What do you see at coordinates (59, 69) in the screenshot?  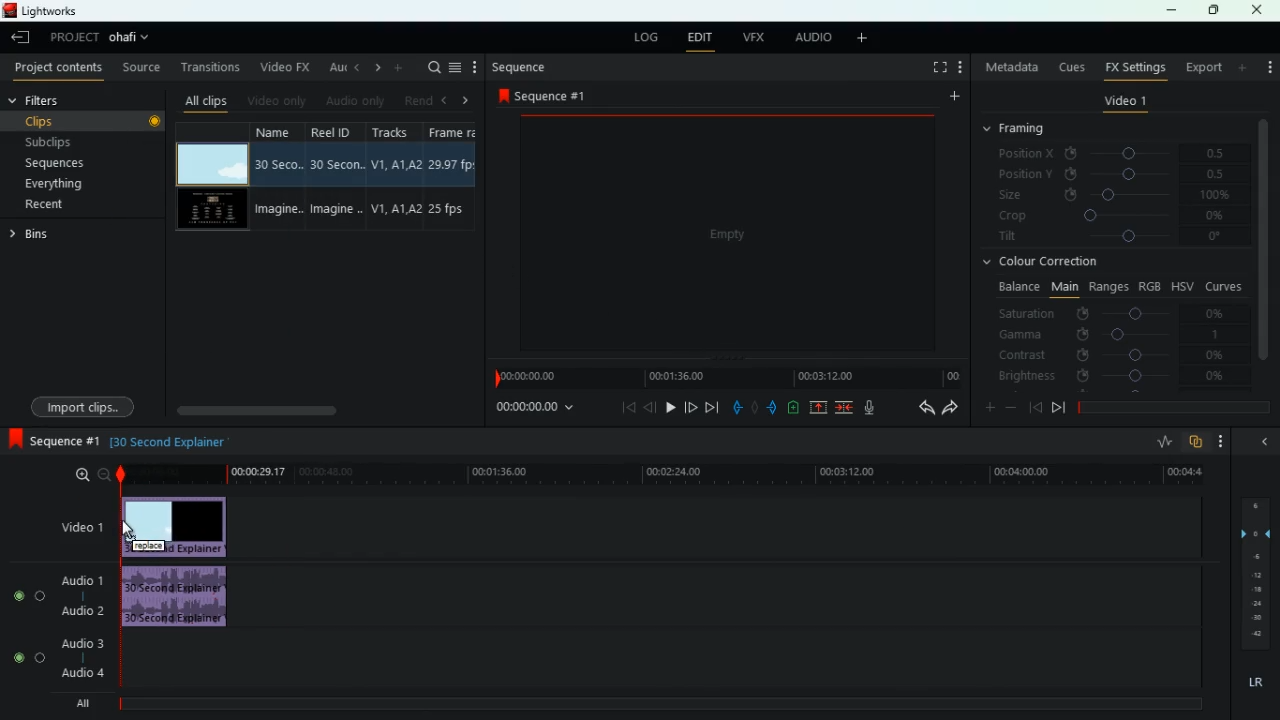 I see `project content` at bounding box center [59, 69].